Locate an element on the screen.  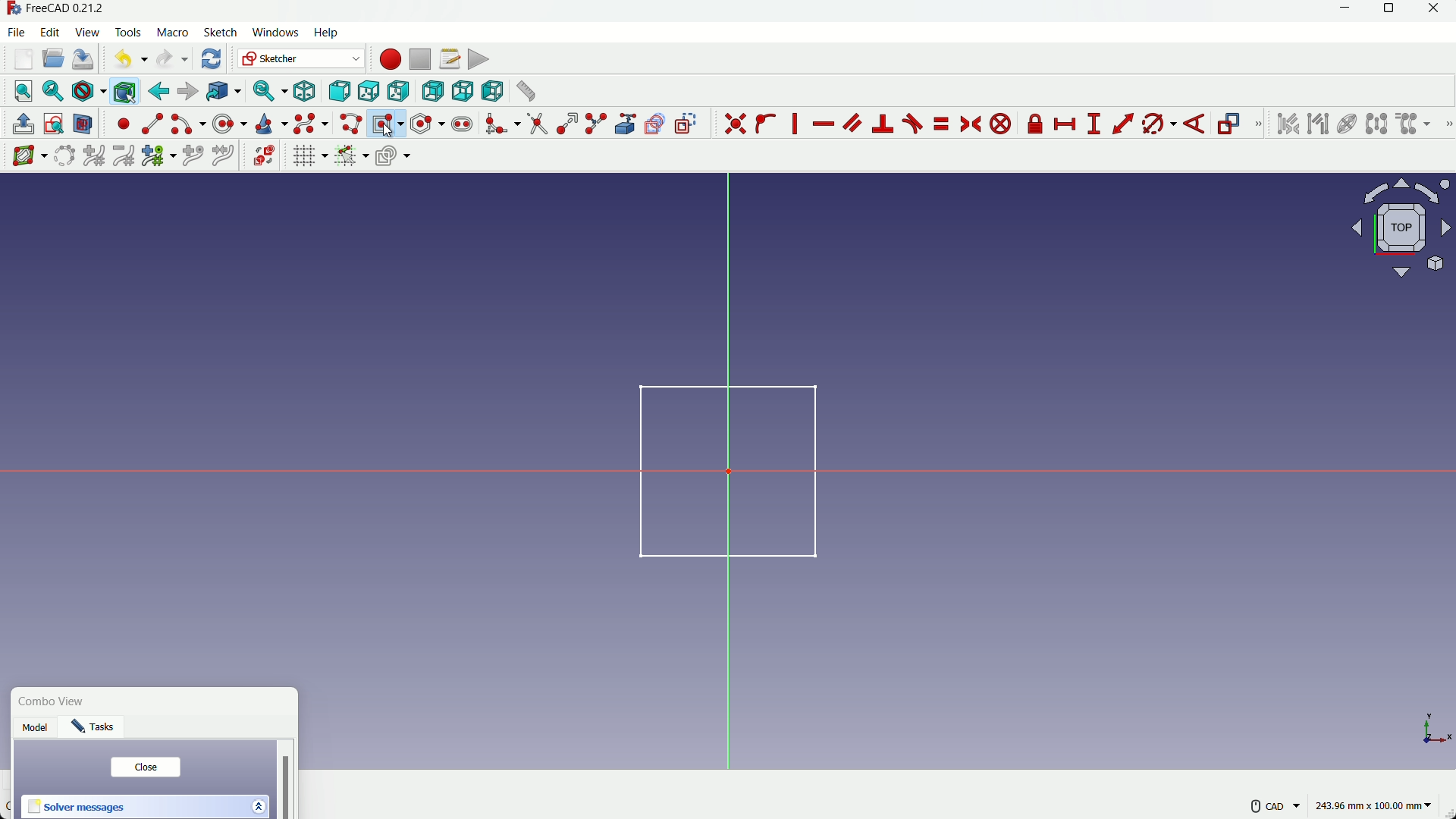
macro menu is located at coordinates (170, 33).